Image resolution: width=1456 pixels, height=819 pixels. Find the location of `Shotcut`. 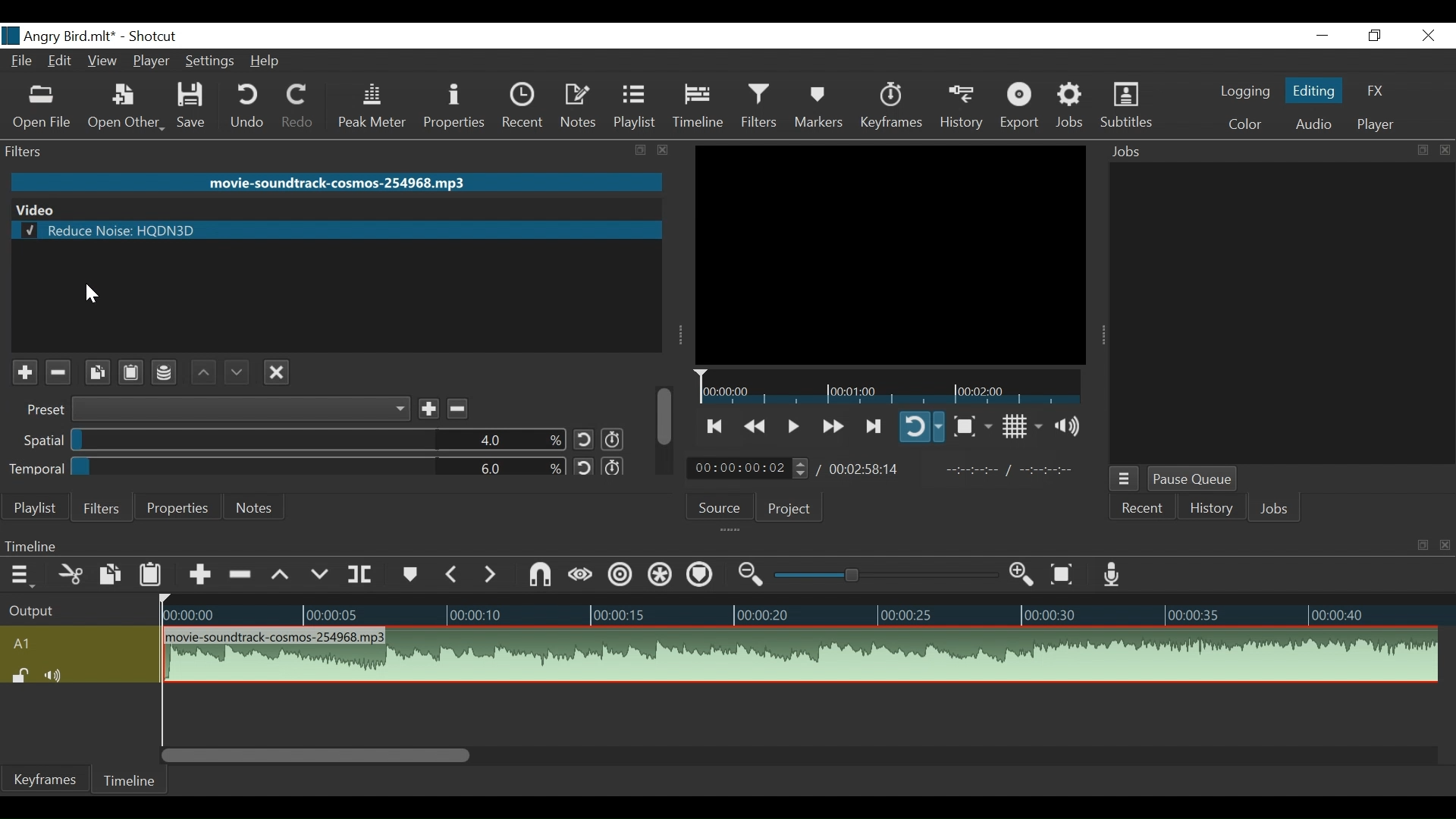

Shotcut is located at coordinates (154, 37).